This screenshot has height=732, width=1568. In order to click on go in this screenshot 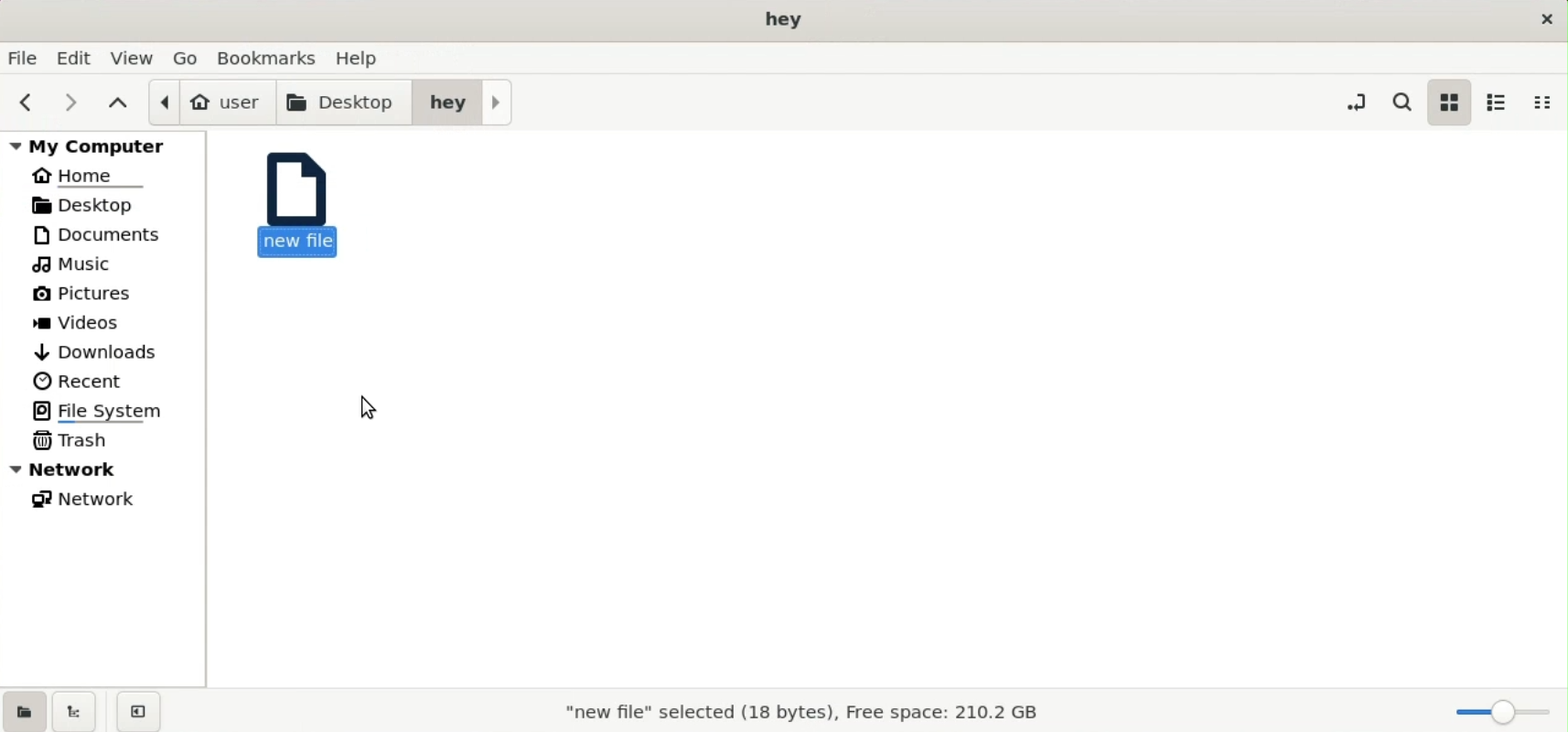, I will do `click(188, 57)`.